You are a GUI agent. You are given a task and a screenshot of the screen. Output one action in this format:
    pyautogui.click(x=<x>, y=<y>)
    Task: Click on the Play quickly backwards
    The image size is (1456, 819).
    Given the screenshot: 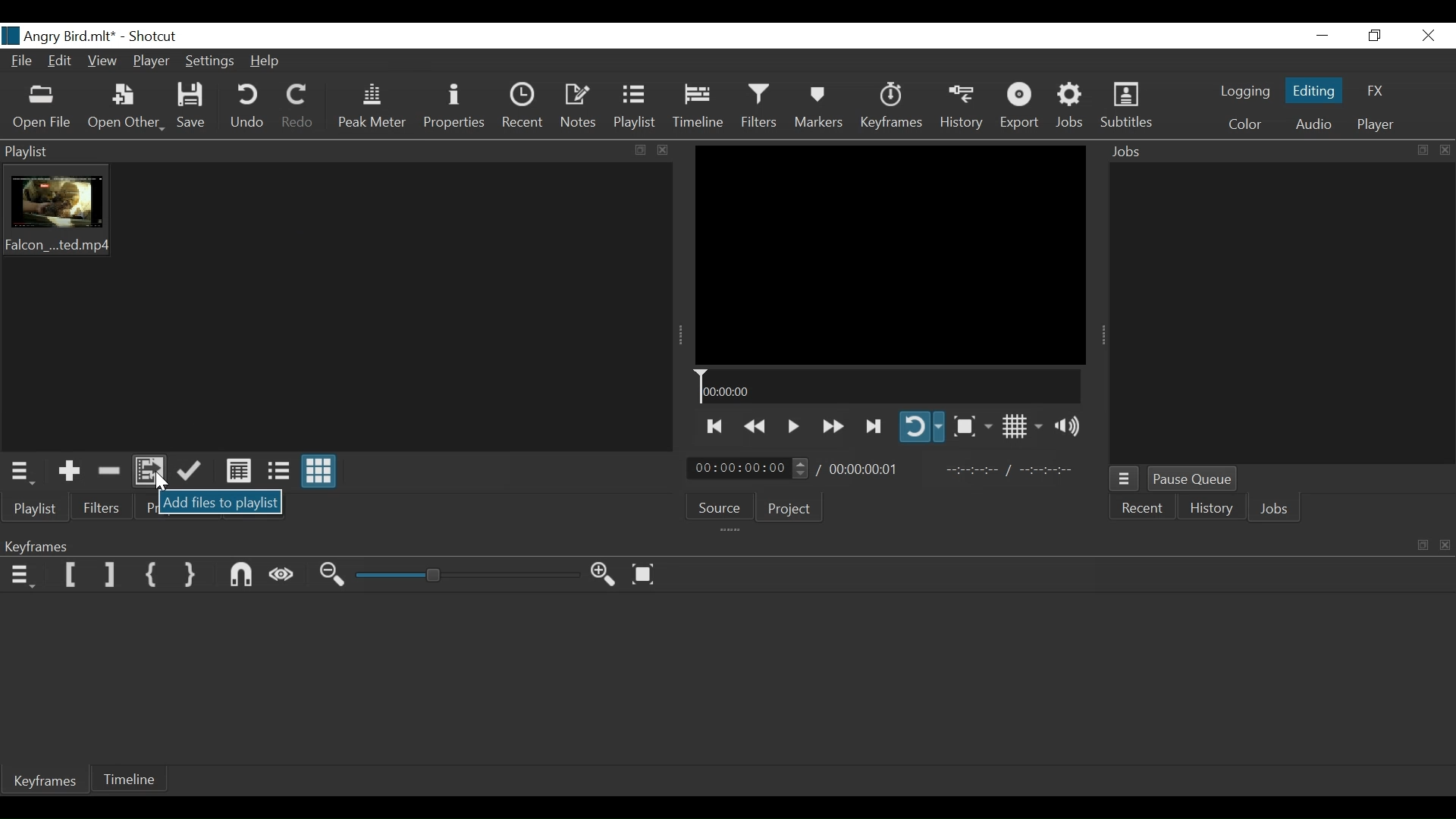 What is the action you would take?
    pyautogui.click(x=755, y=425)
    